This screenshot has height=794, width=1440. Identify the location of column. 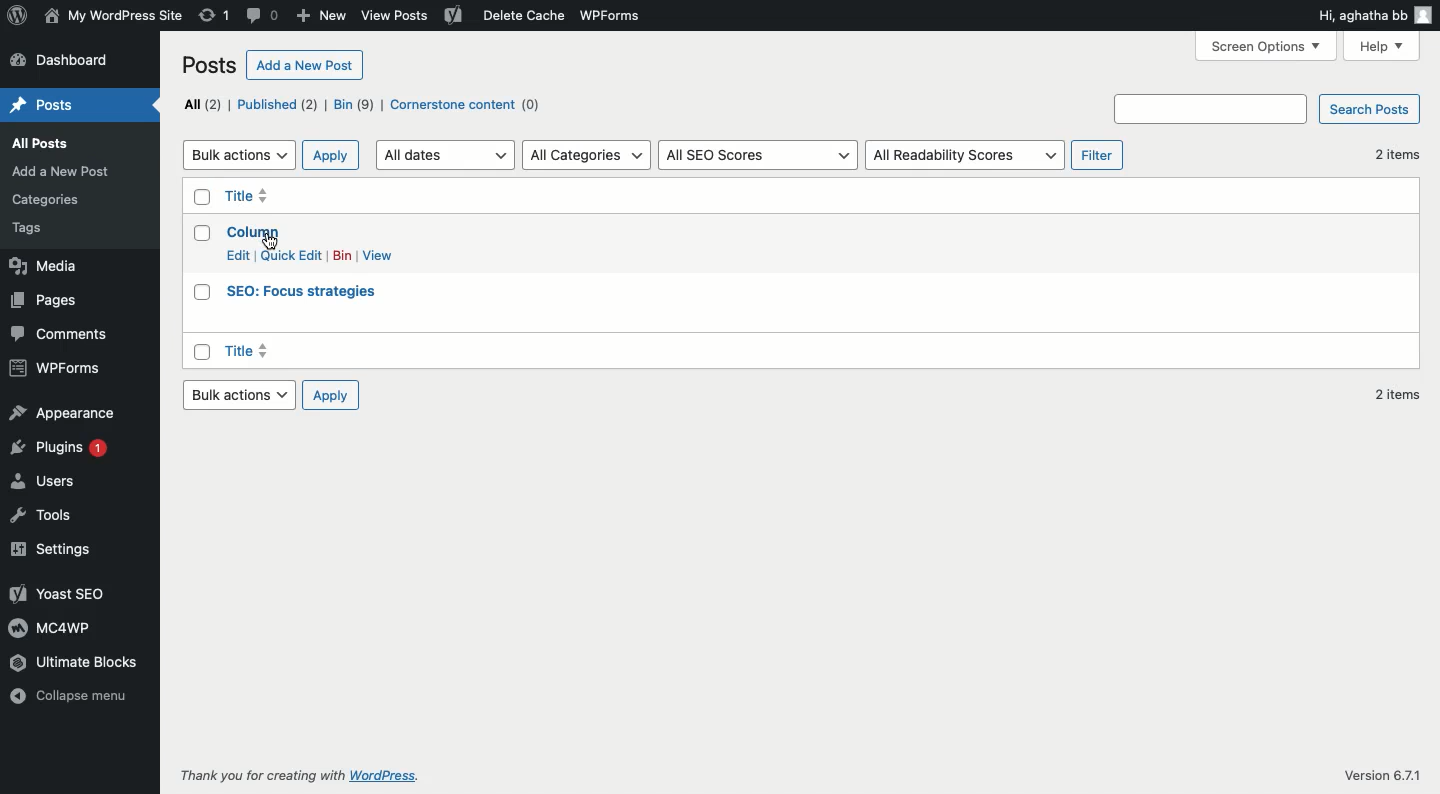
(253, 231).